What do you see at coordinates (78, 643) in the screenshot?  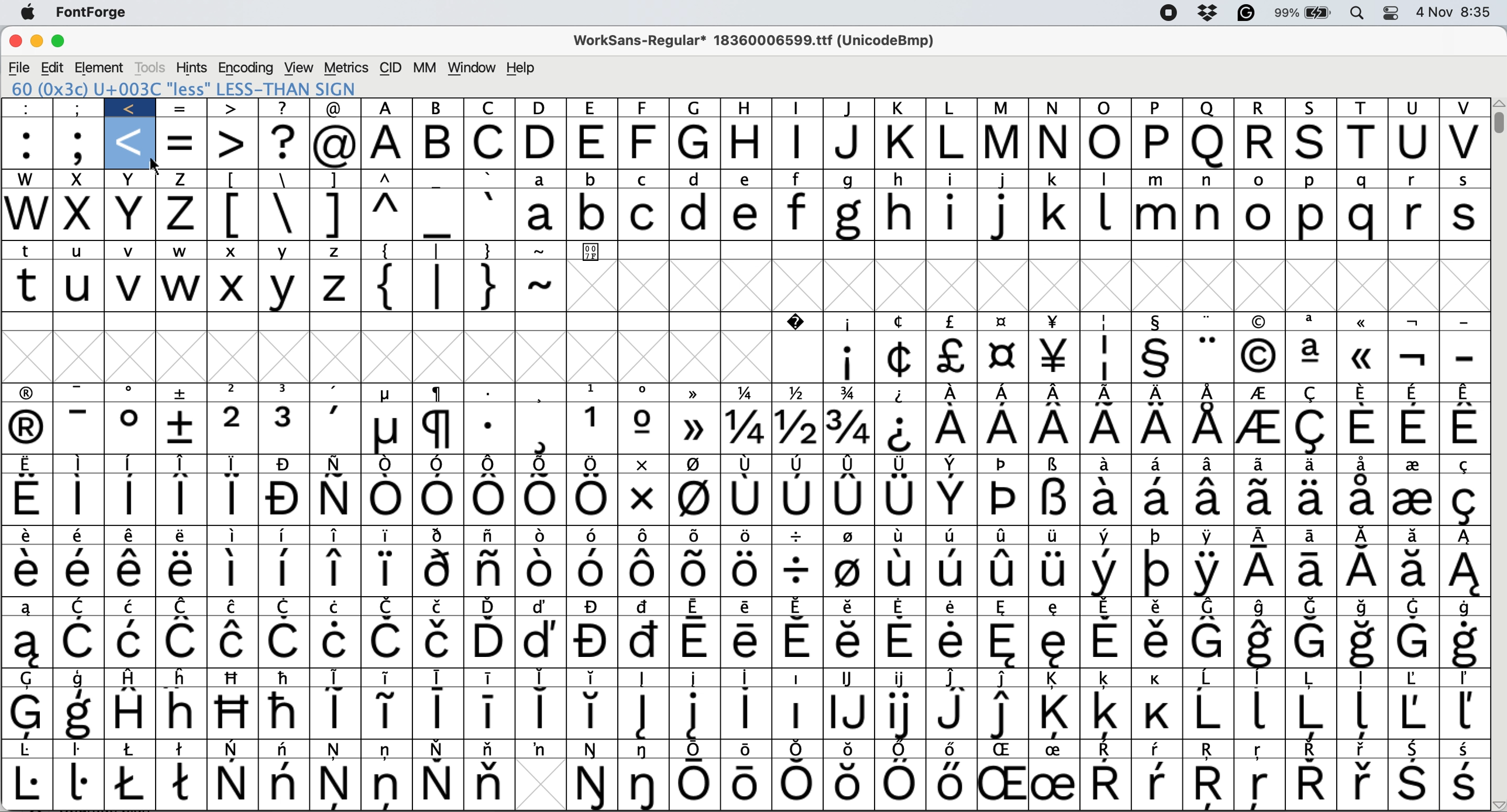 I see `Symbol` at bounding box center [78, 643].